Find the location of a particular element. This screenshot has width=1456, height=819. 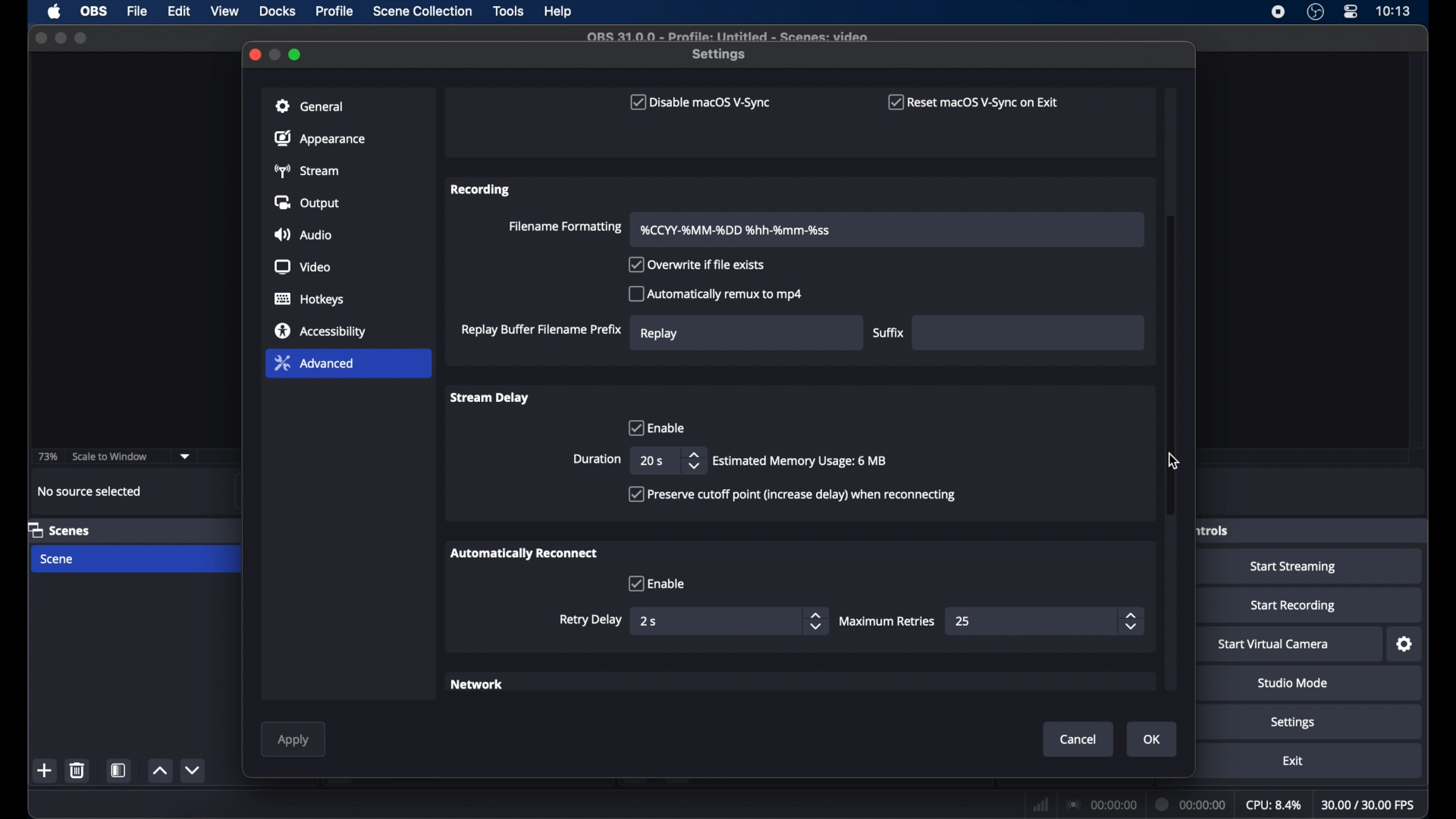

disable macOS V-sync is located at coordinates (698, 102).